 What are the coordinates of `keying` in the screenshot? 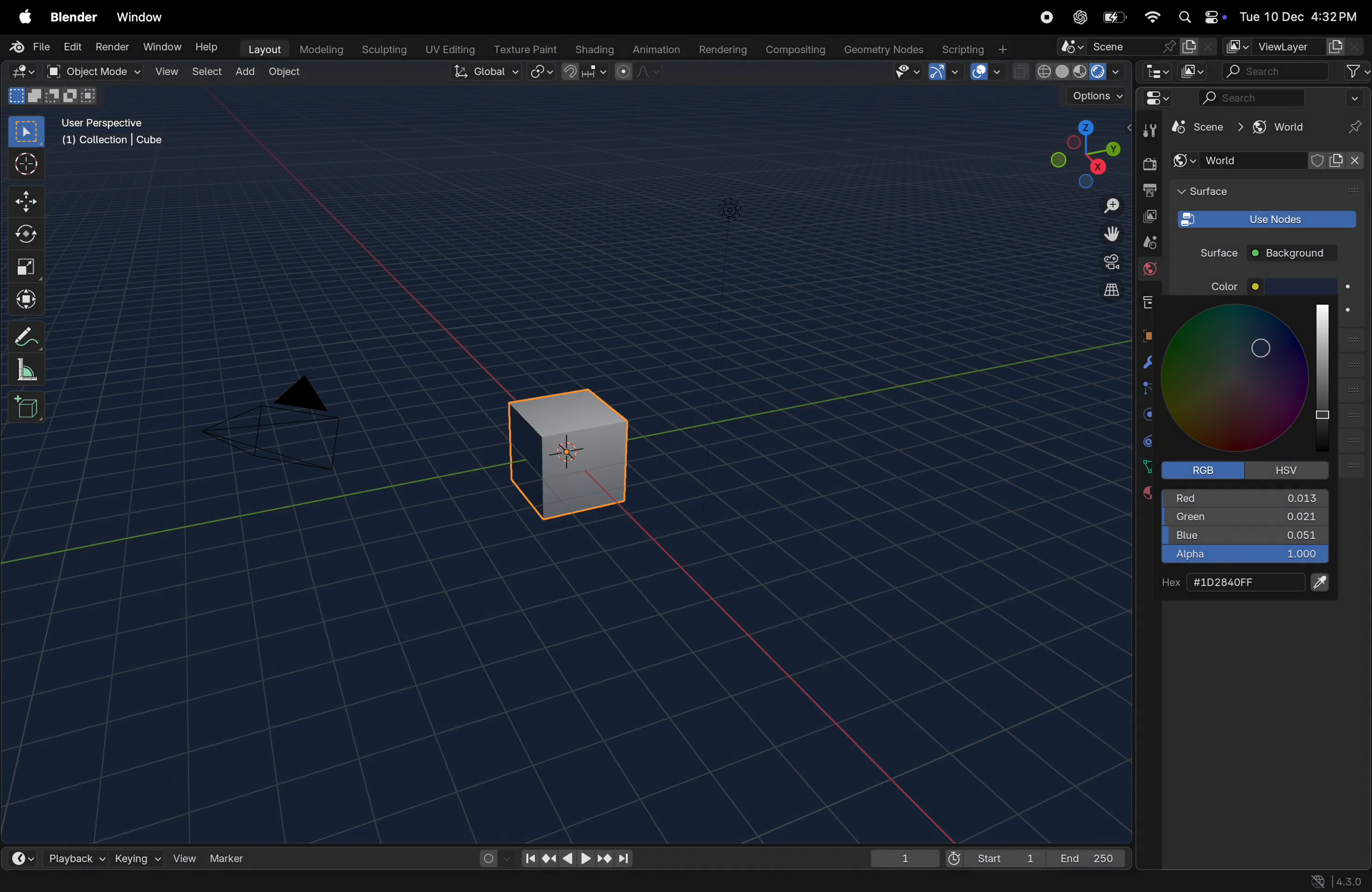 It's located at (138, 856).